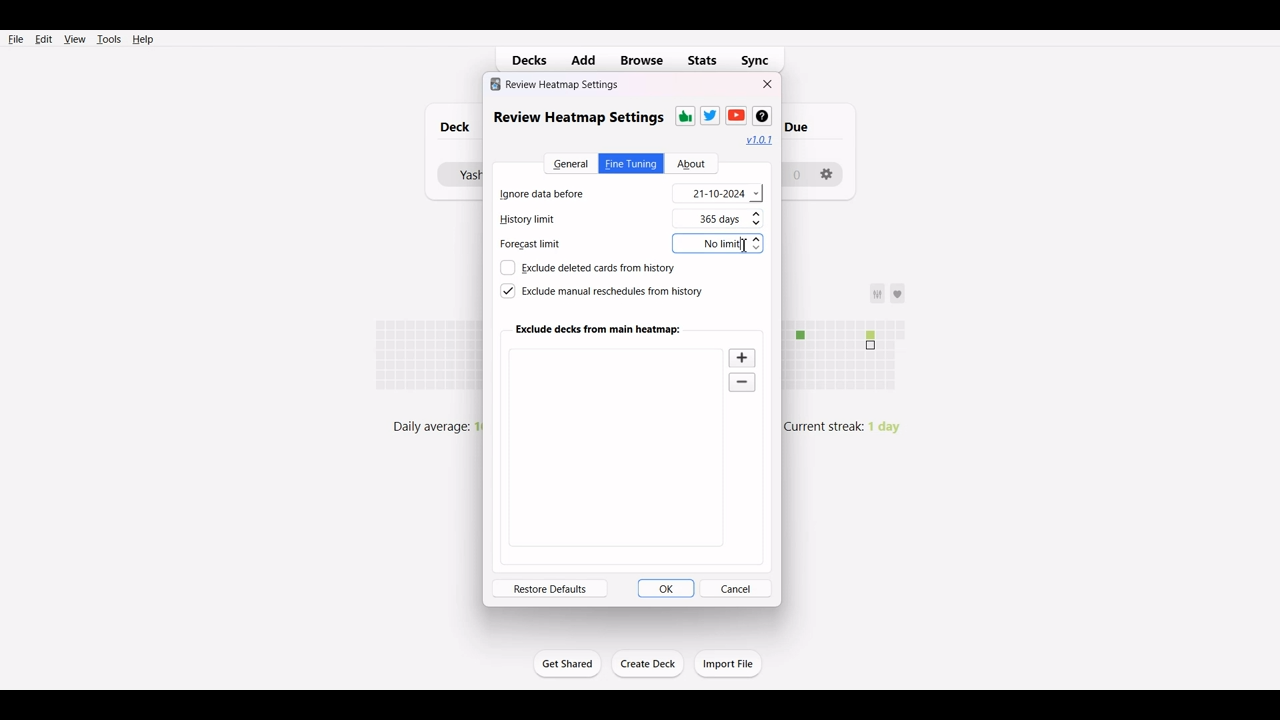 Image resolution: width=1280 pixels, height=720 pixels. I want to click on settings, so click(828, 169).